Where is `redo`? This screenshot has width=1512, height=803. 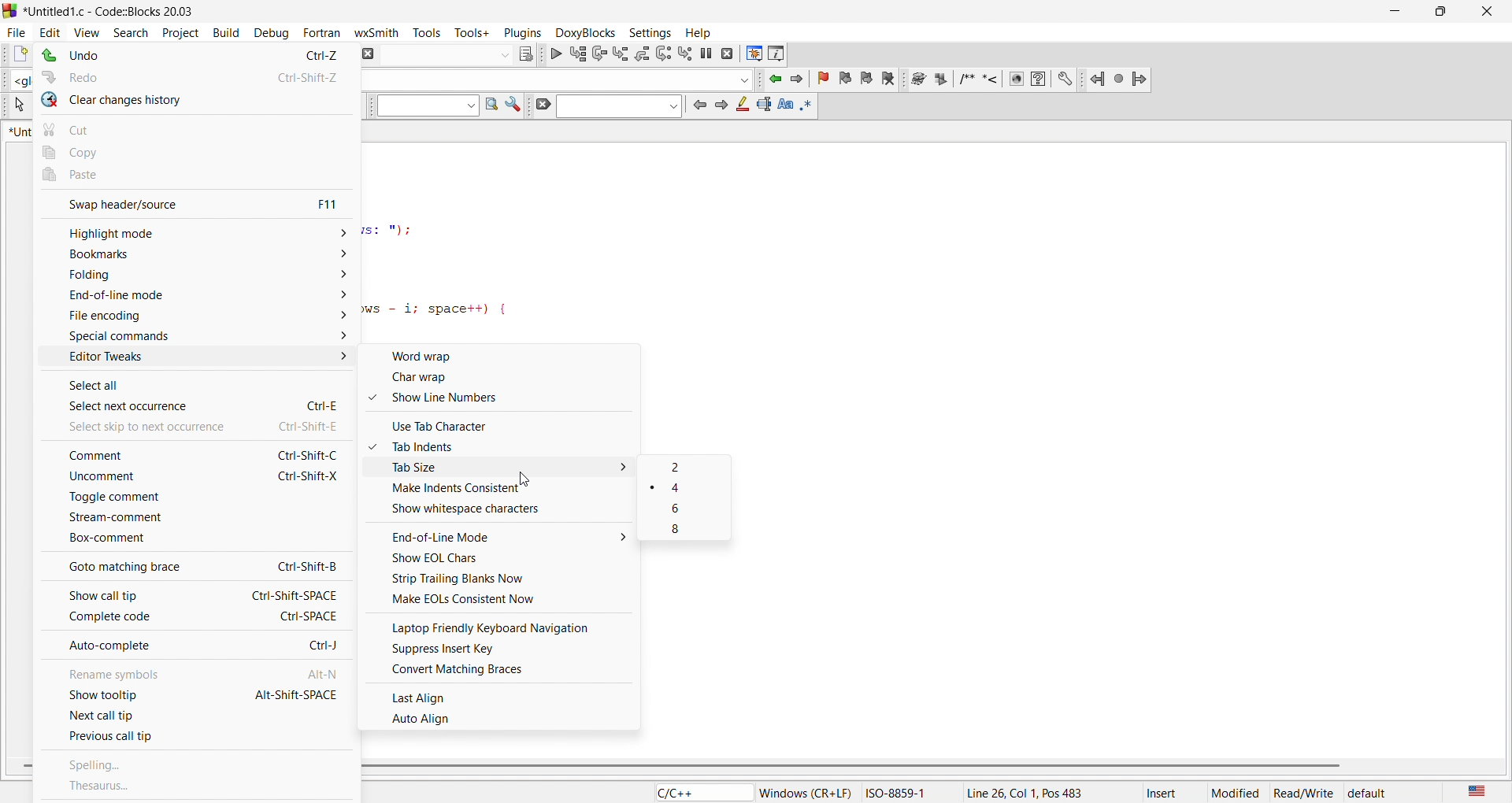 redo is located at coordinates (143, 78).